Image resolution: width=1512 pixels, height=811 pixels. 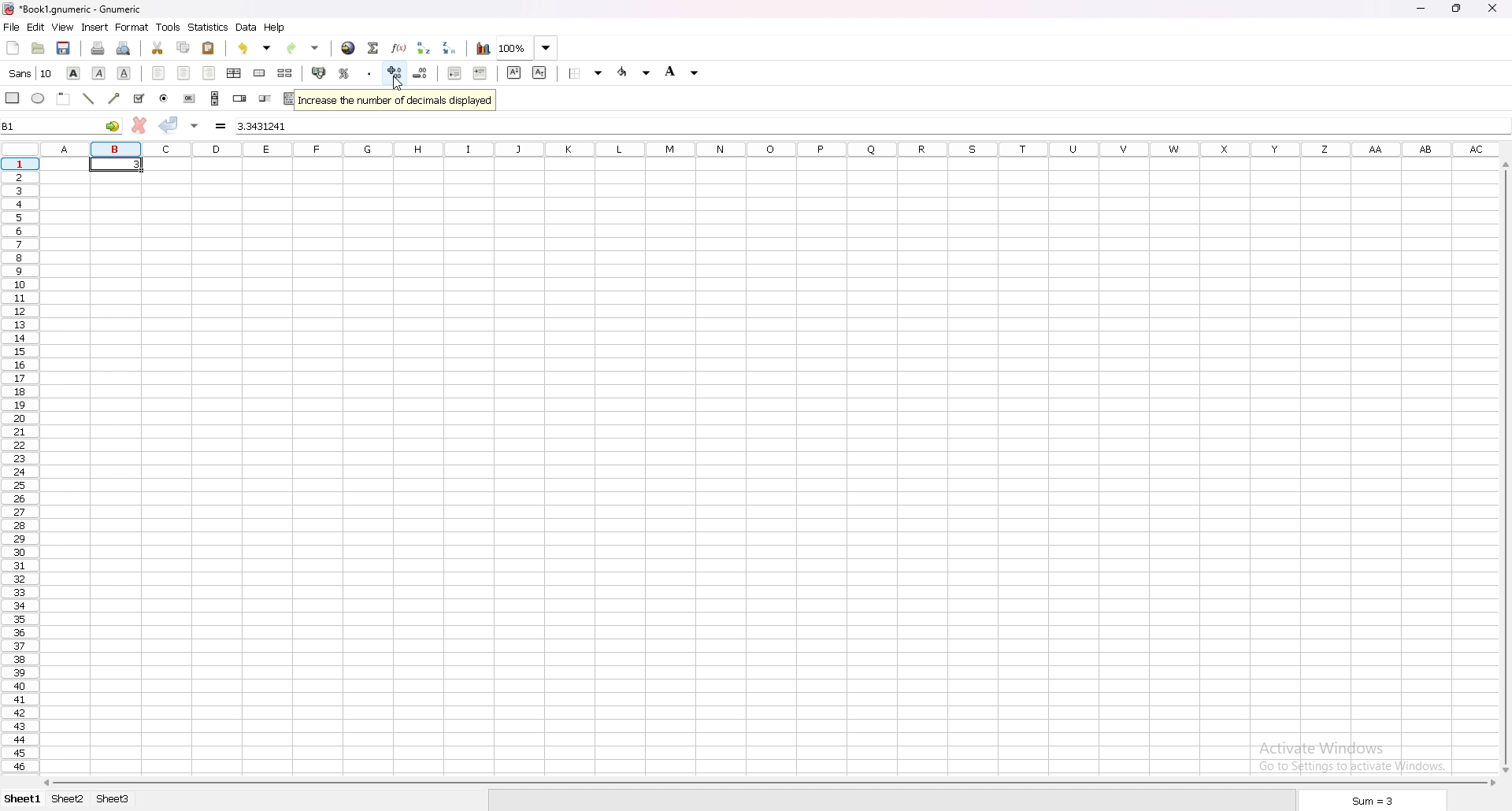 What do you see at coordinates (484, 48) in the screenshot?
I see `chart` at bounding box center [484, 48].